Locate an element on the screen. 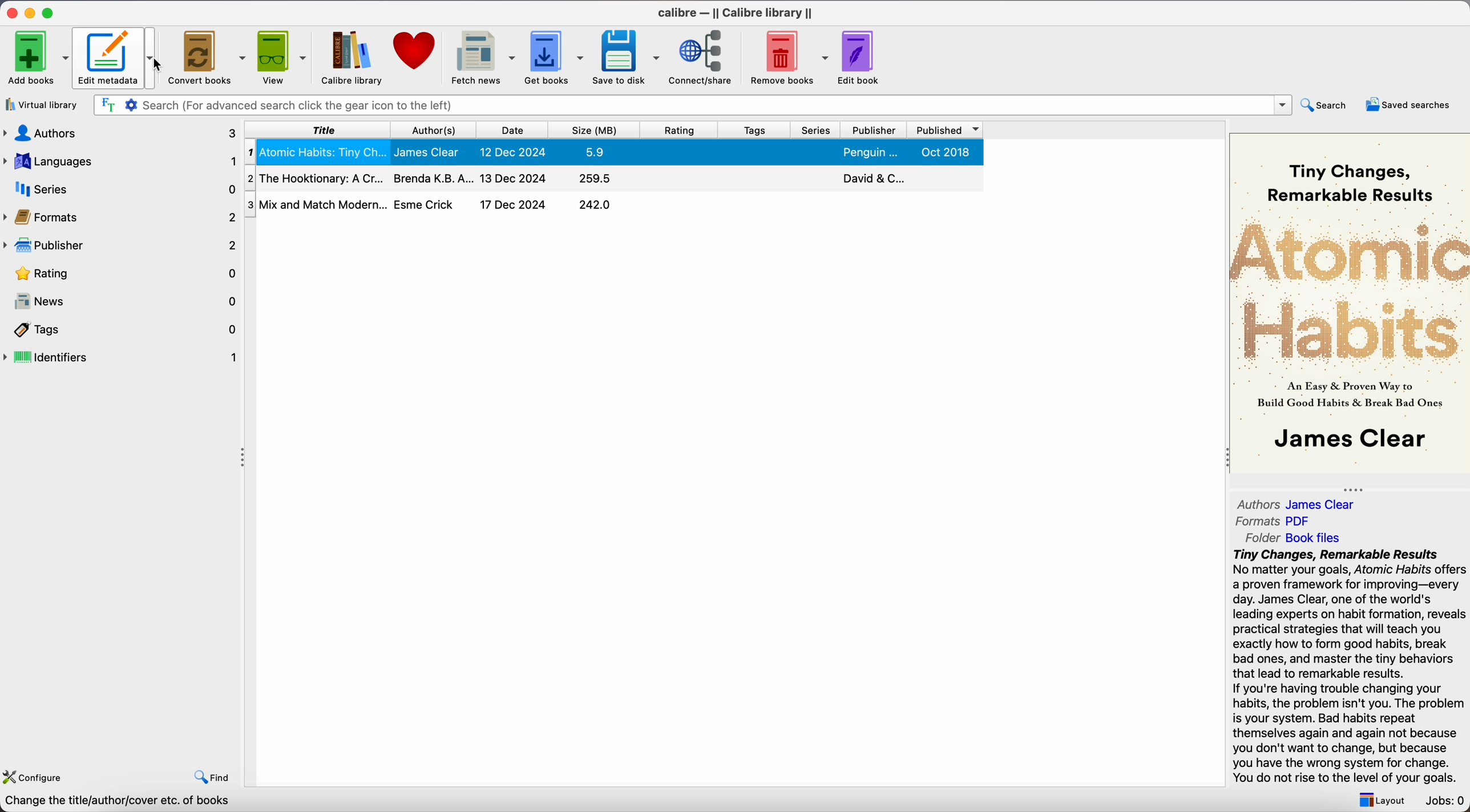 The width and height of the screenshot is (1470, 812). 242.0 is located at coordinates (595, 205).